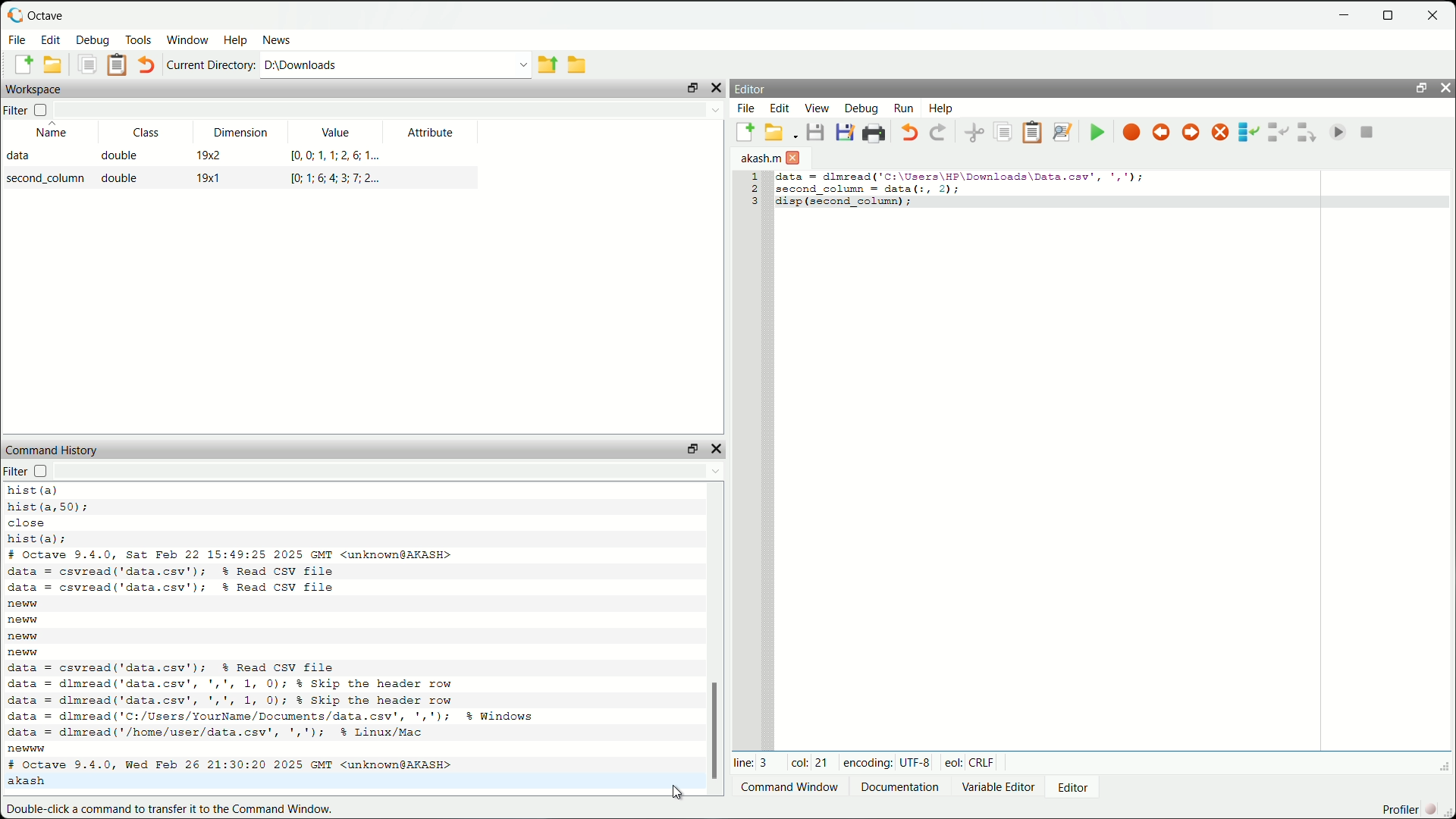  I want to click on debug, so click(95, 41).